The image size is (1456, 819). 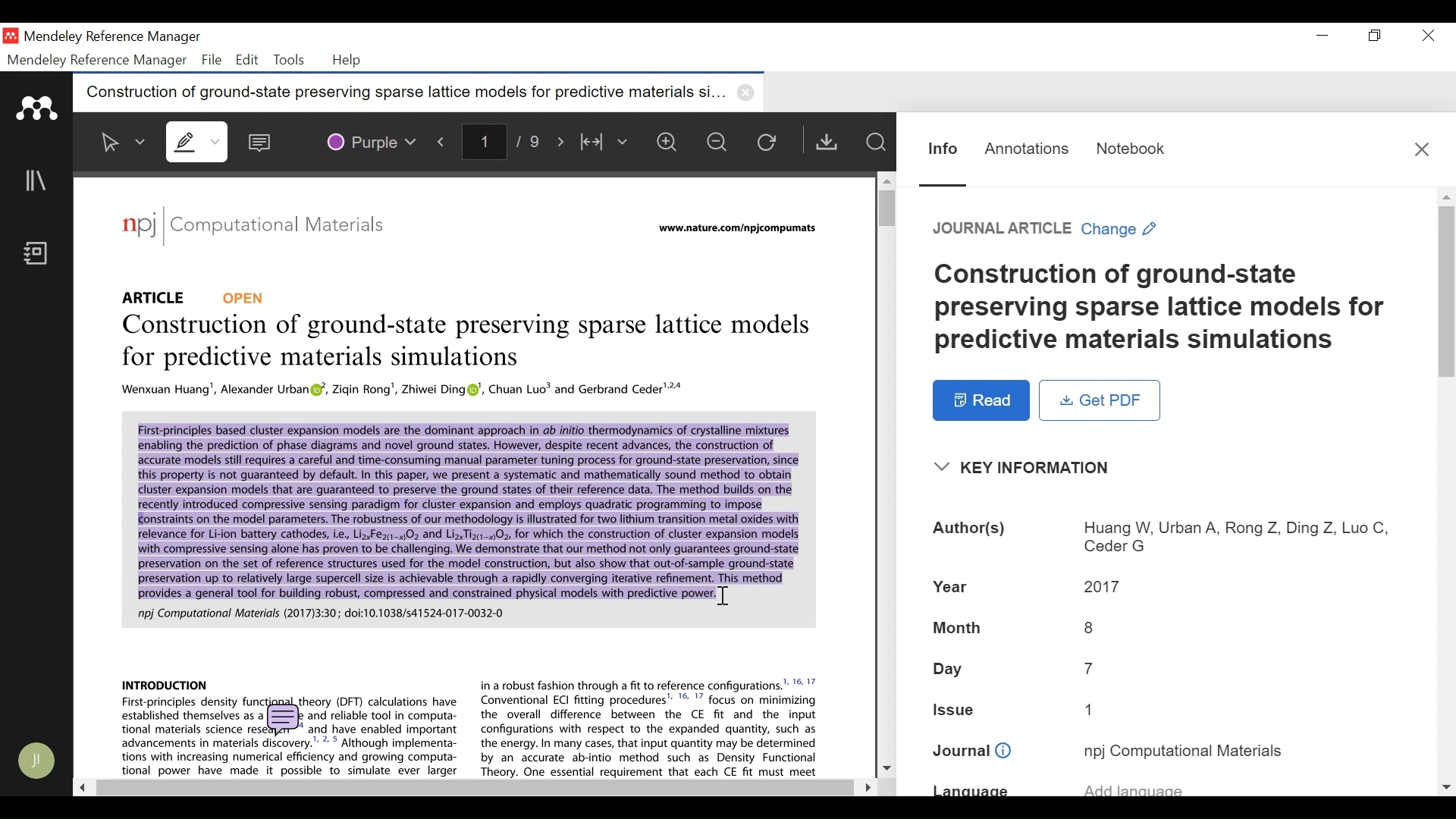 What do you see at coordinates (1323, 36) in the screenshot?
I see `minimize` at bounding box center [1323, 36].